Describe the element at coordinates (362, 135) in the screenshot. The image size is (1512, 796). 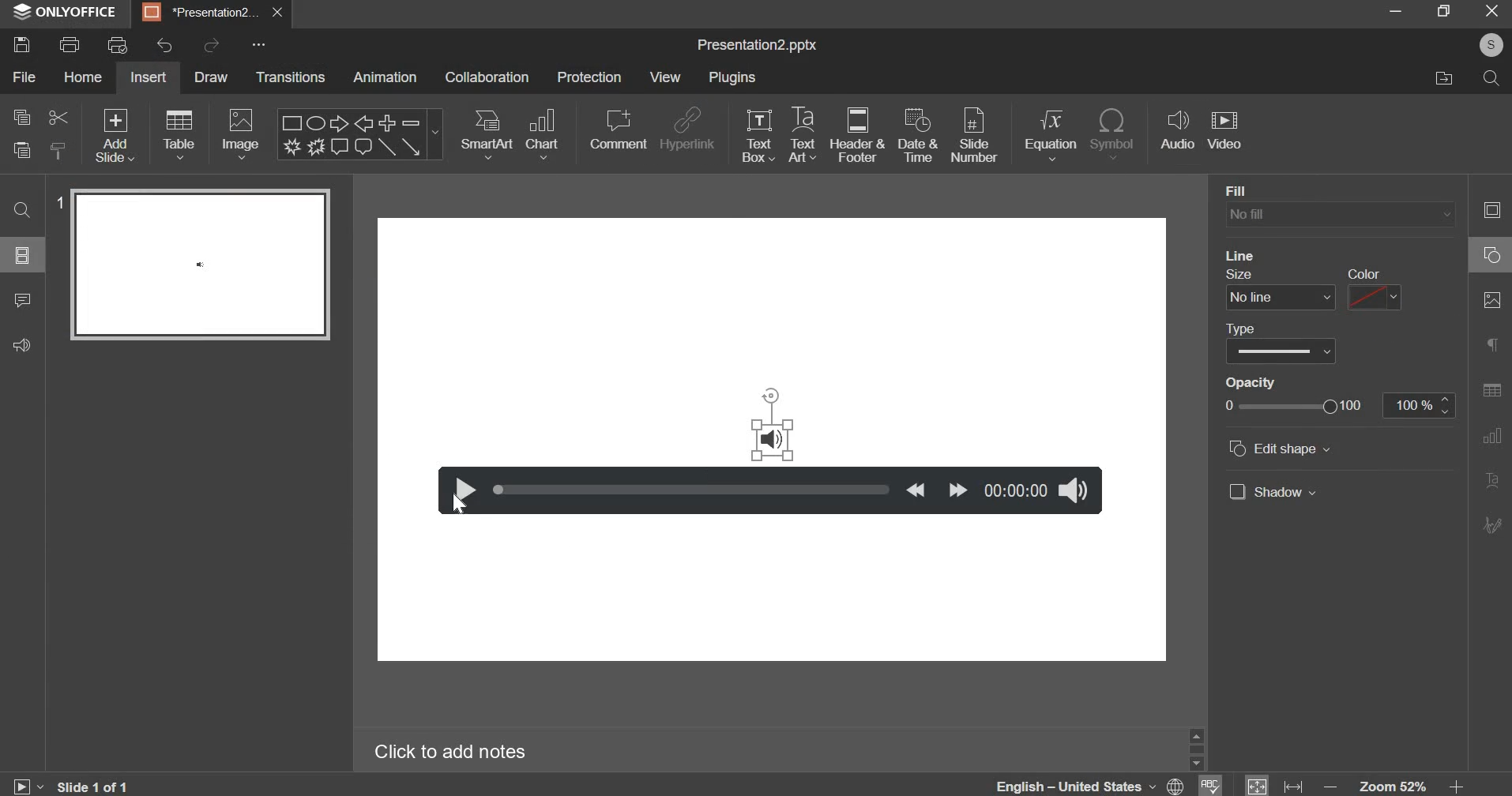
I see `shapes` at that location.